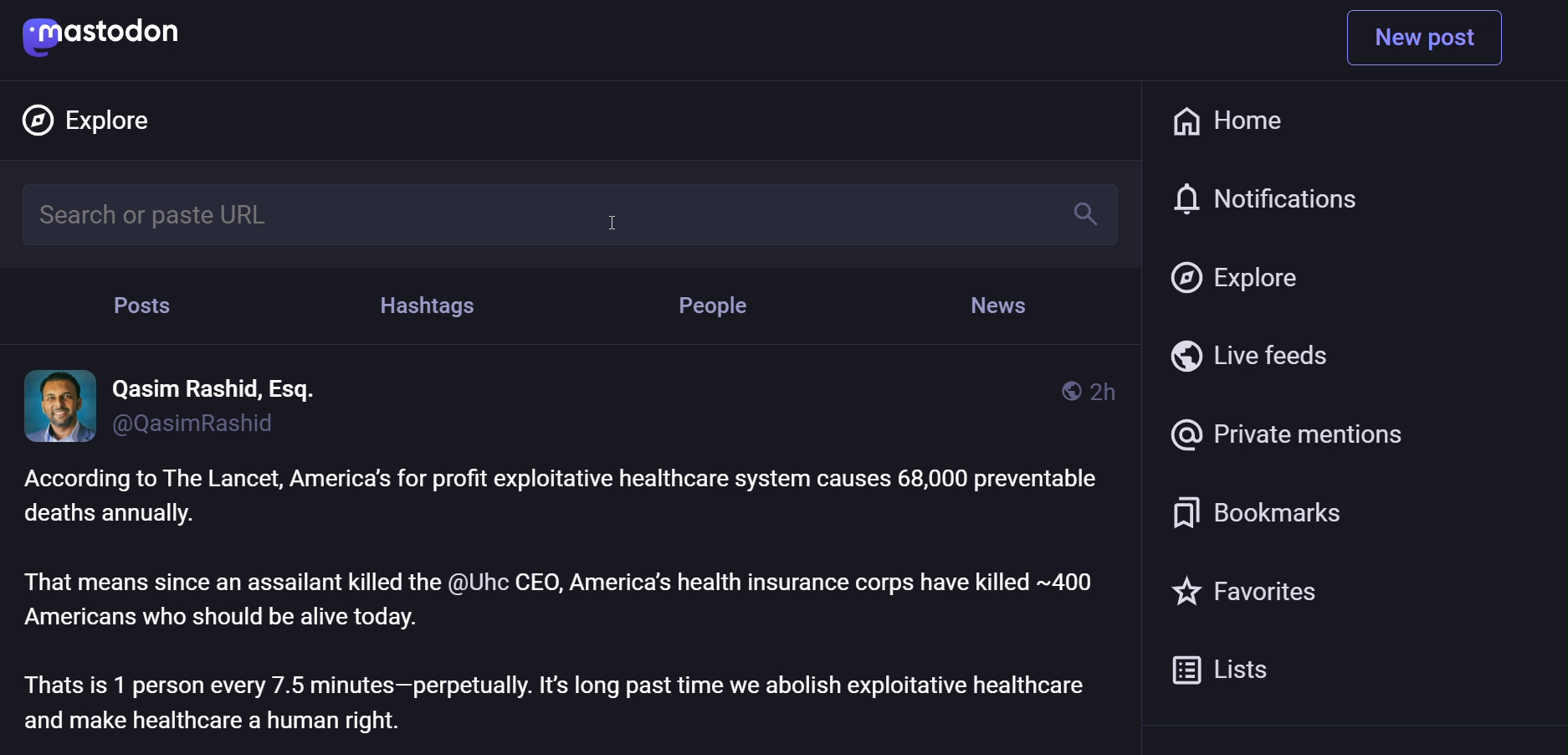  What do you see at coordinates (1224, 666) in the screenshot?
I see `list` at bounding box center [1224, 666].